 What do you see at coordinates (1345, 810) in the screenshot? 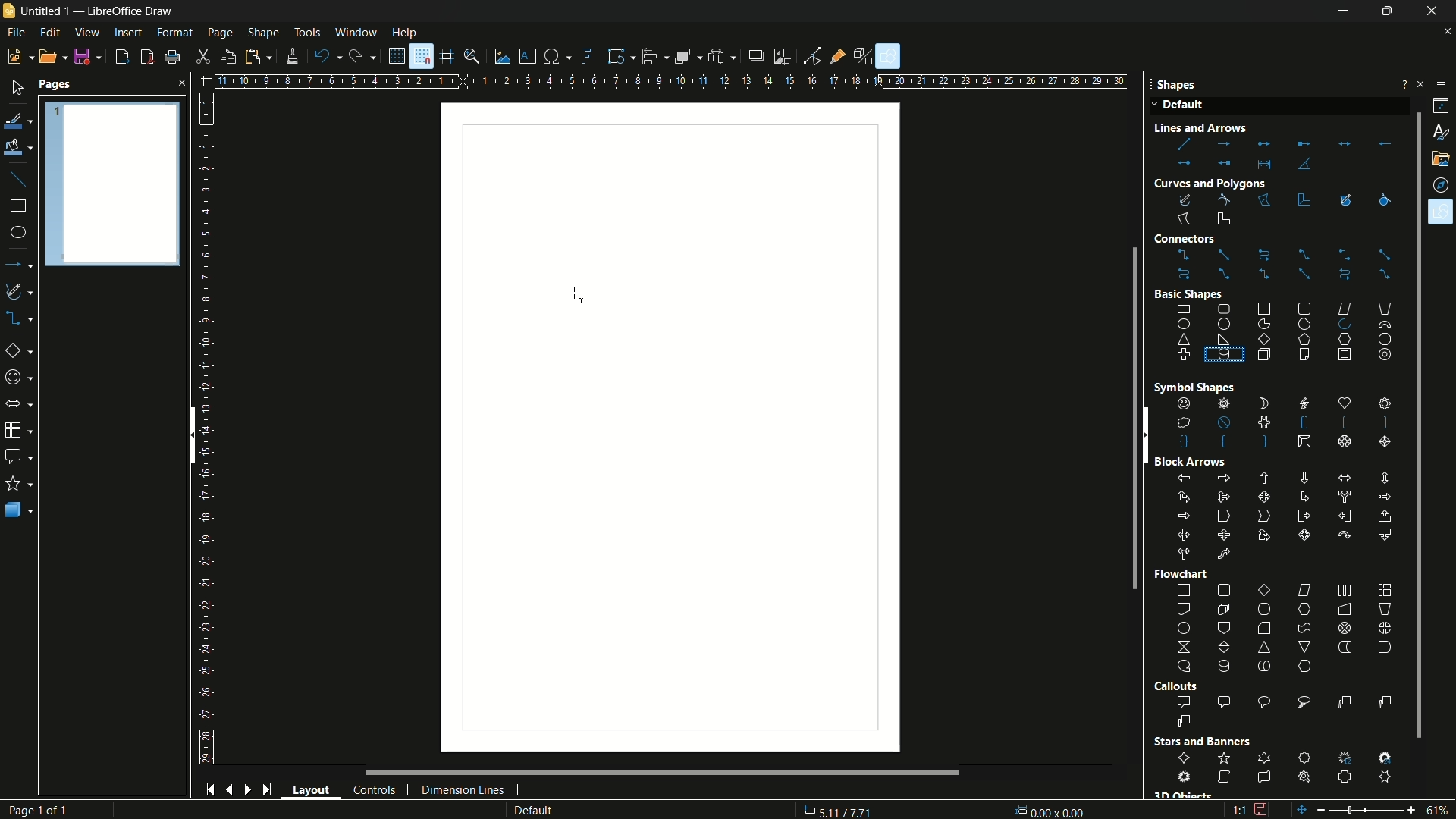
I see `zoom out` at bounding box center [1345, 810].